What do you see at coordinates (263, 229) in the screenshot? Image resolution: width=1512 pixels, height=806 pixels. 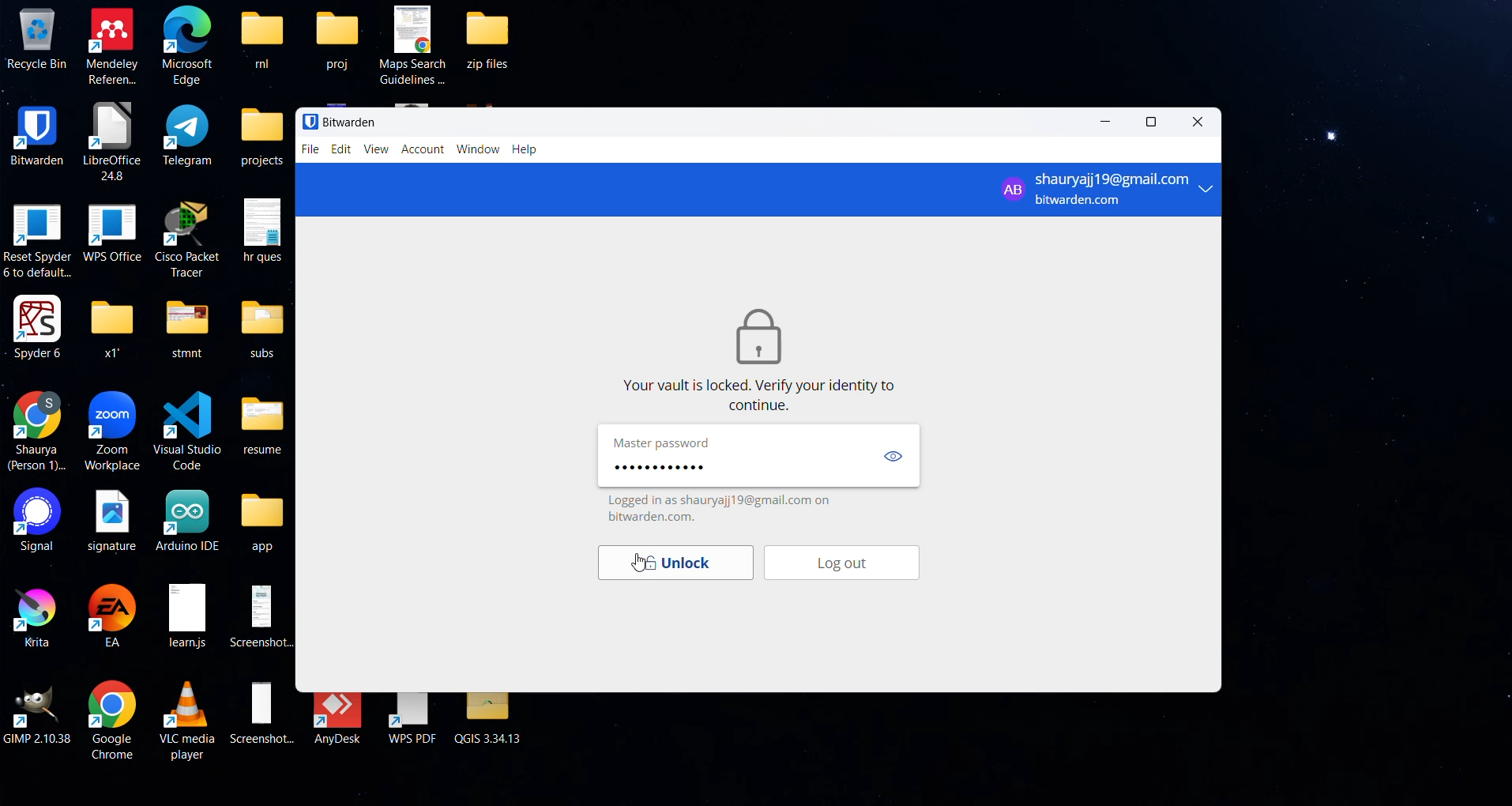 I see `hr ques` at bounding box center [263, 229].